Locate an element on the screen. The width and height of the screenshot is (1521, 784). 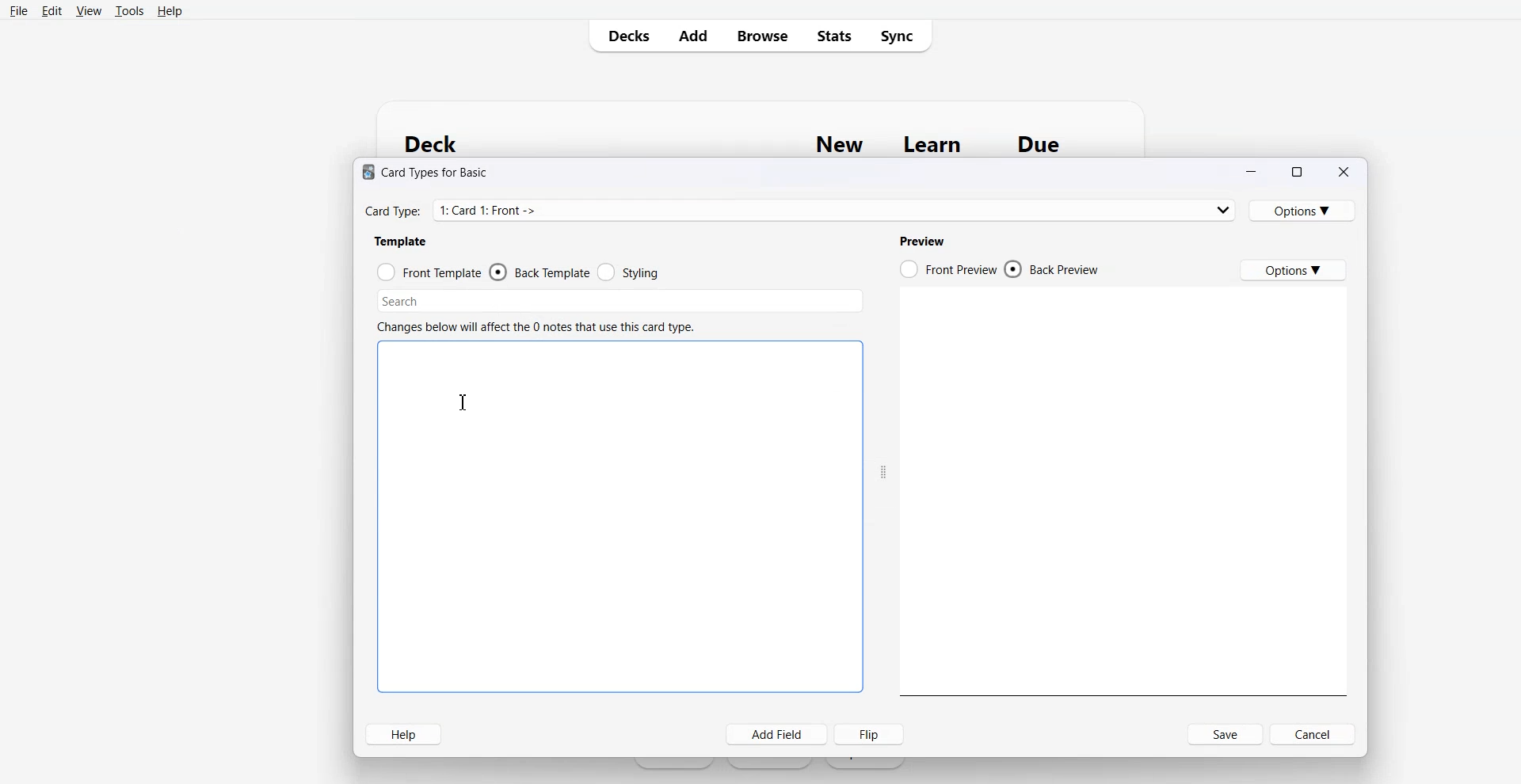
Sync is located at coordinates (900, 35).